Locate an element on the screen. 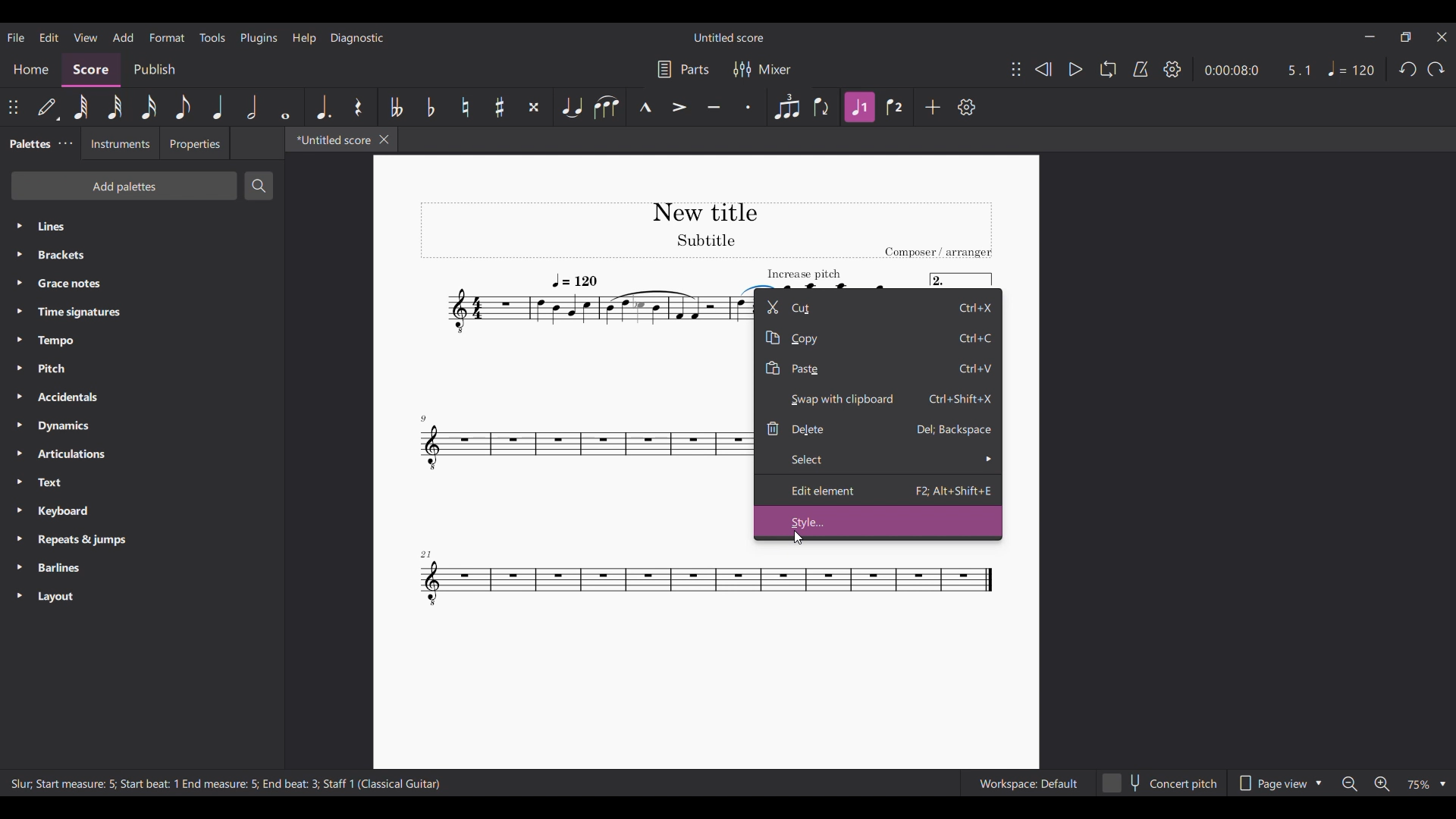  Format menu is located at coordinates (167, 37).